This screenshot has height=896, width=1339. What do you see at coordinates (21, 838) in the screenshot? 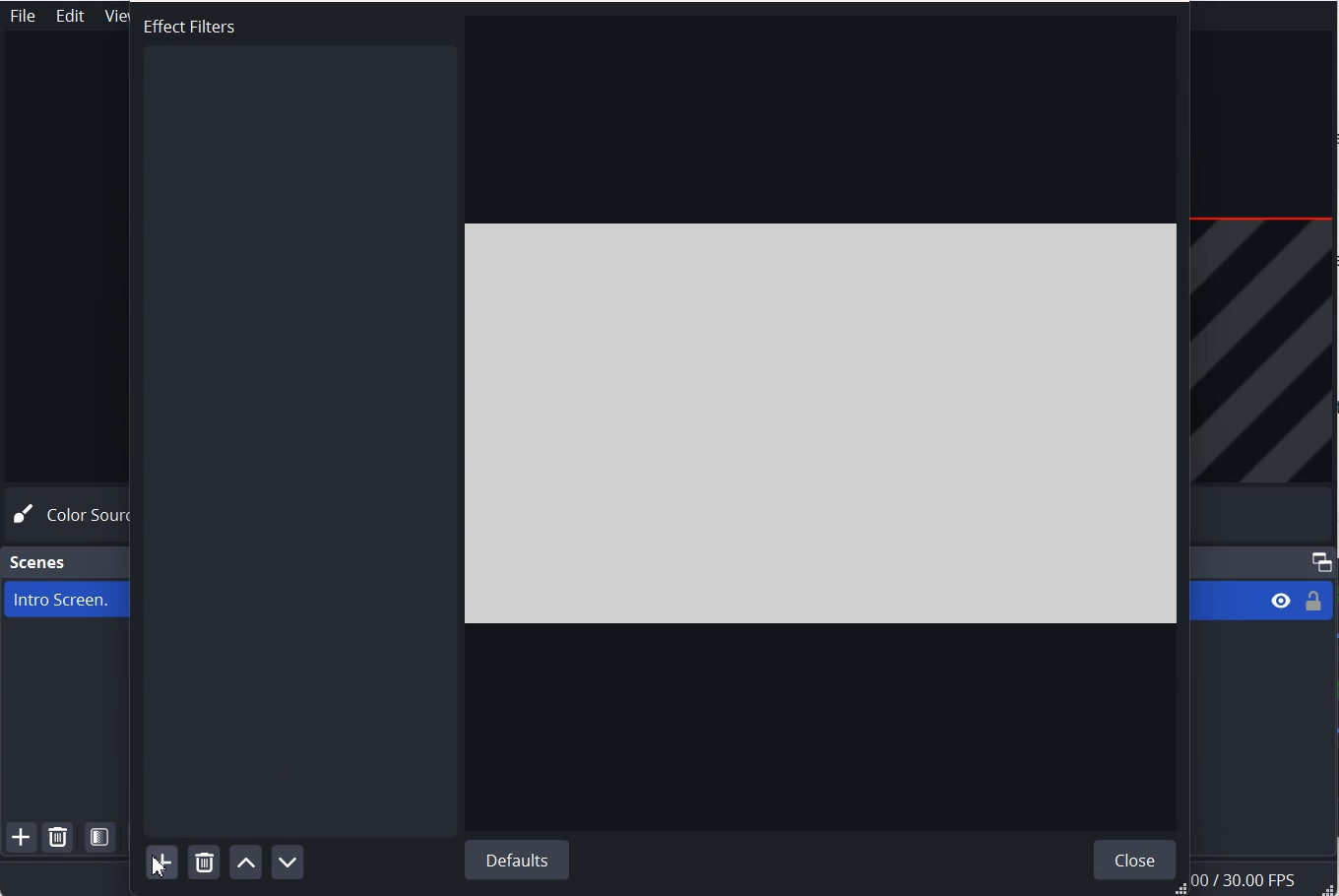
I see `Add Scene` at bounding box center [21, 838].